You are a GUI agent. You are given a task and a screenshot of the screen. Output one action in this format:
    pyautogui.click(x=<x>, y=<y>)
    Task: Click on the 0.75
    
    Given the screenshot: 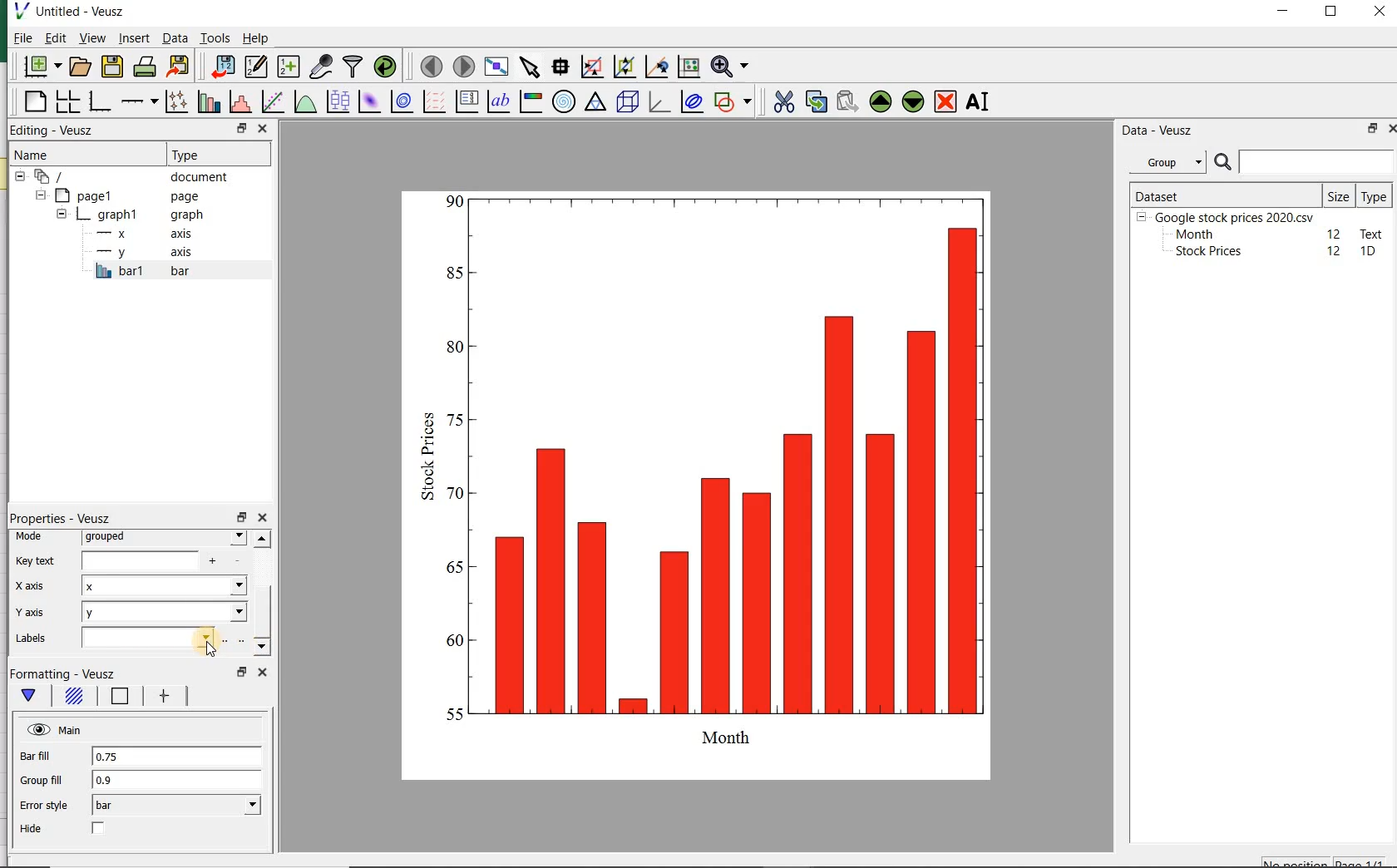 What is the action you would take?
    pyautogui.click(x=178, y=757)
    